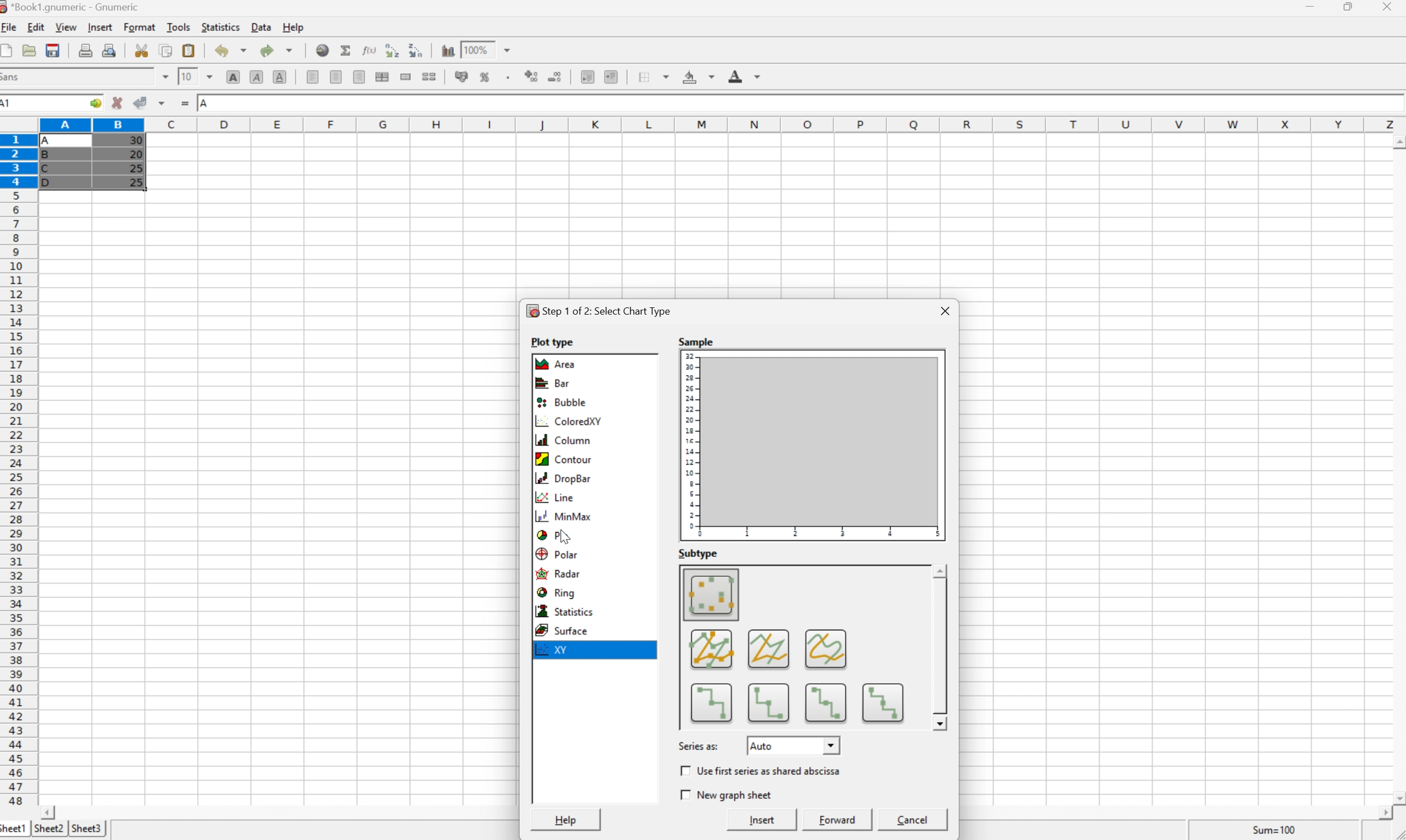  What do you see at coordinates (210, 76) in the screenshot?
I see `Drop Down` at bounding box center [210, 76].